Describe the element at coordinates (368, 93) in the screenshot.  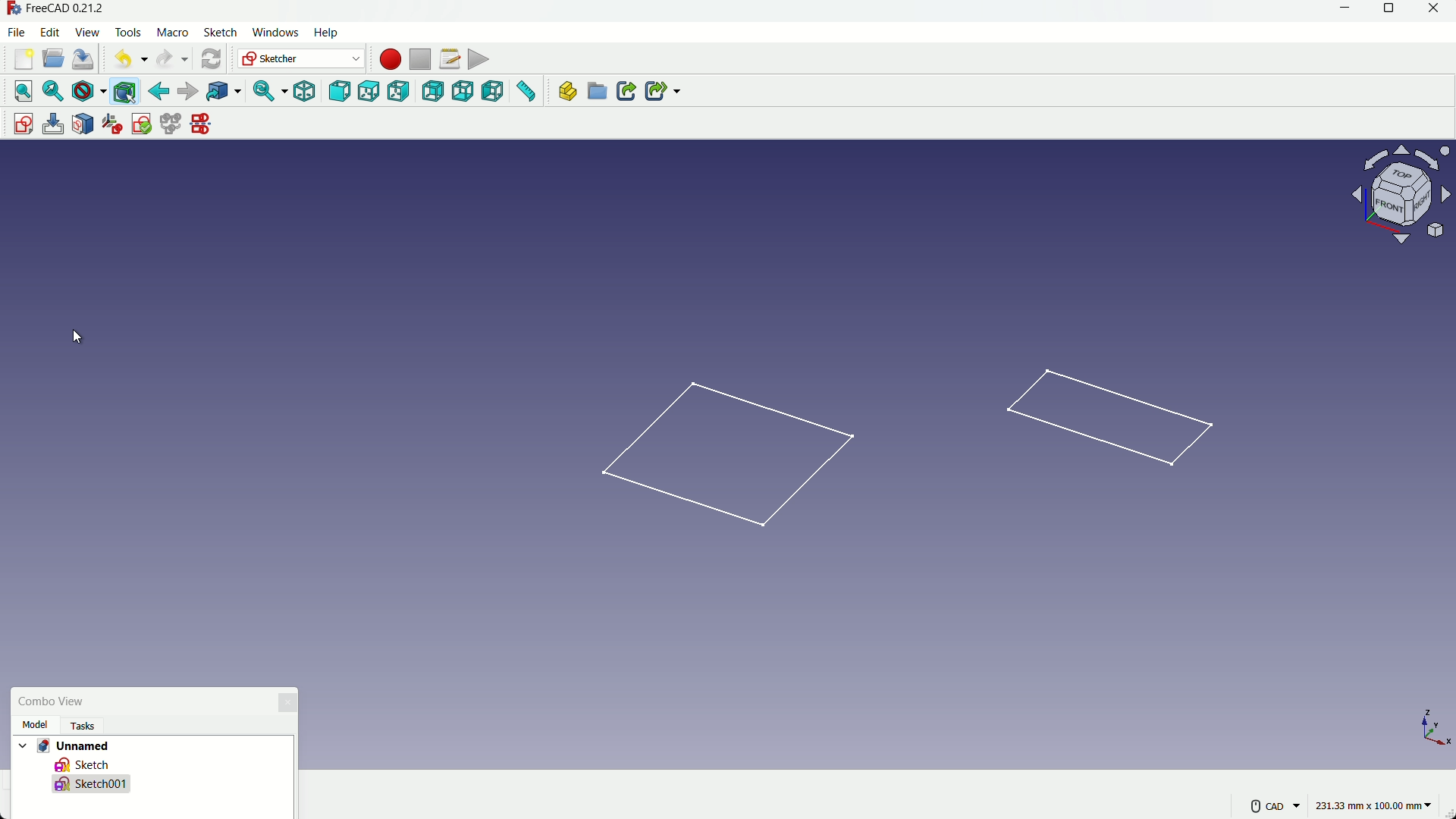
I see `top view` at that location.